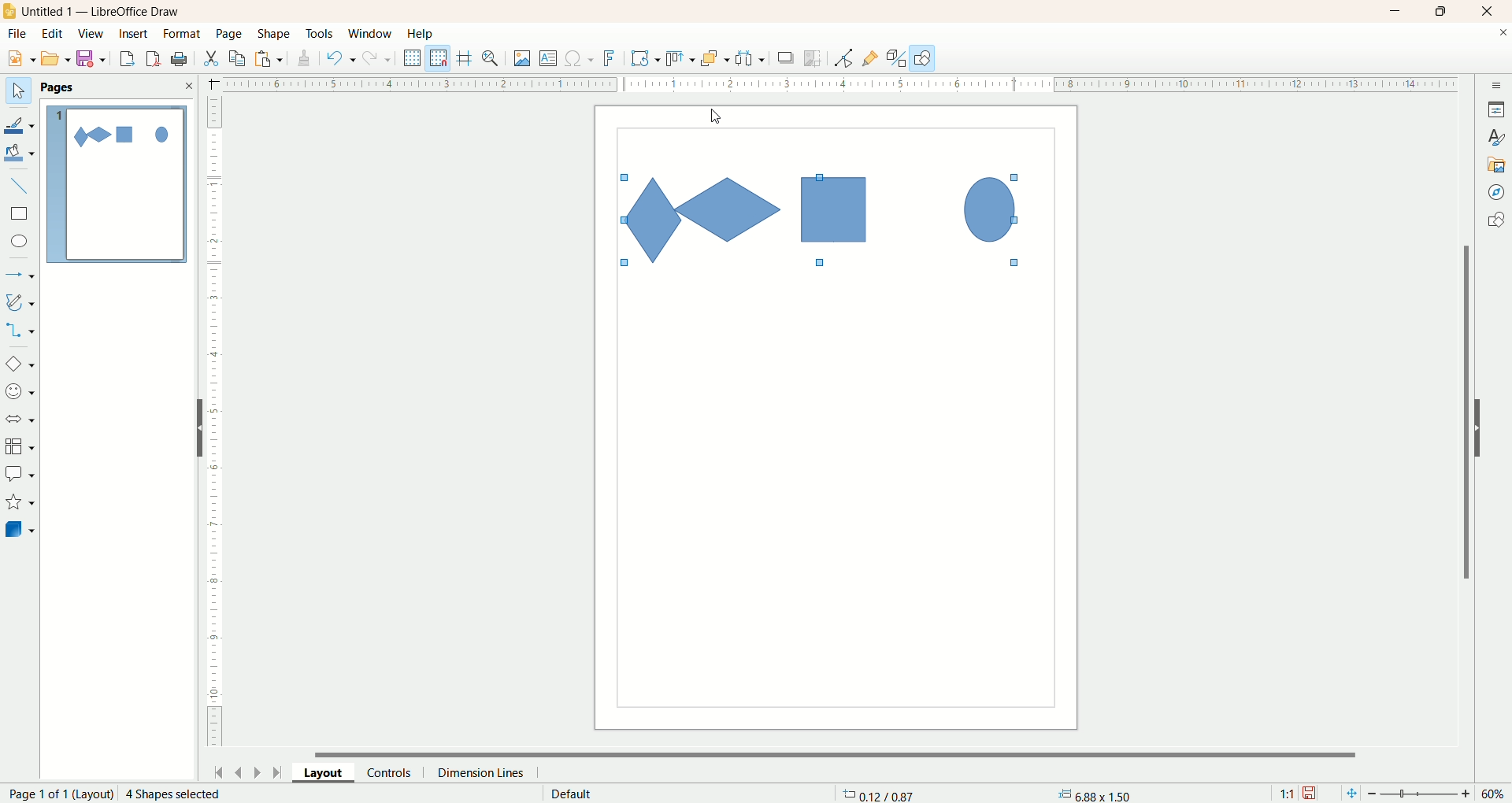 The width and height of the screenshot is (1512, 803). I want to click on select, so click(18, 91).